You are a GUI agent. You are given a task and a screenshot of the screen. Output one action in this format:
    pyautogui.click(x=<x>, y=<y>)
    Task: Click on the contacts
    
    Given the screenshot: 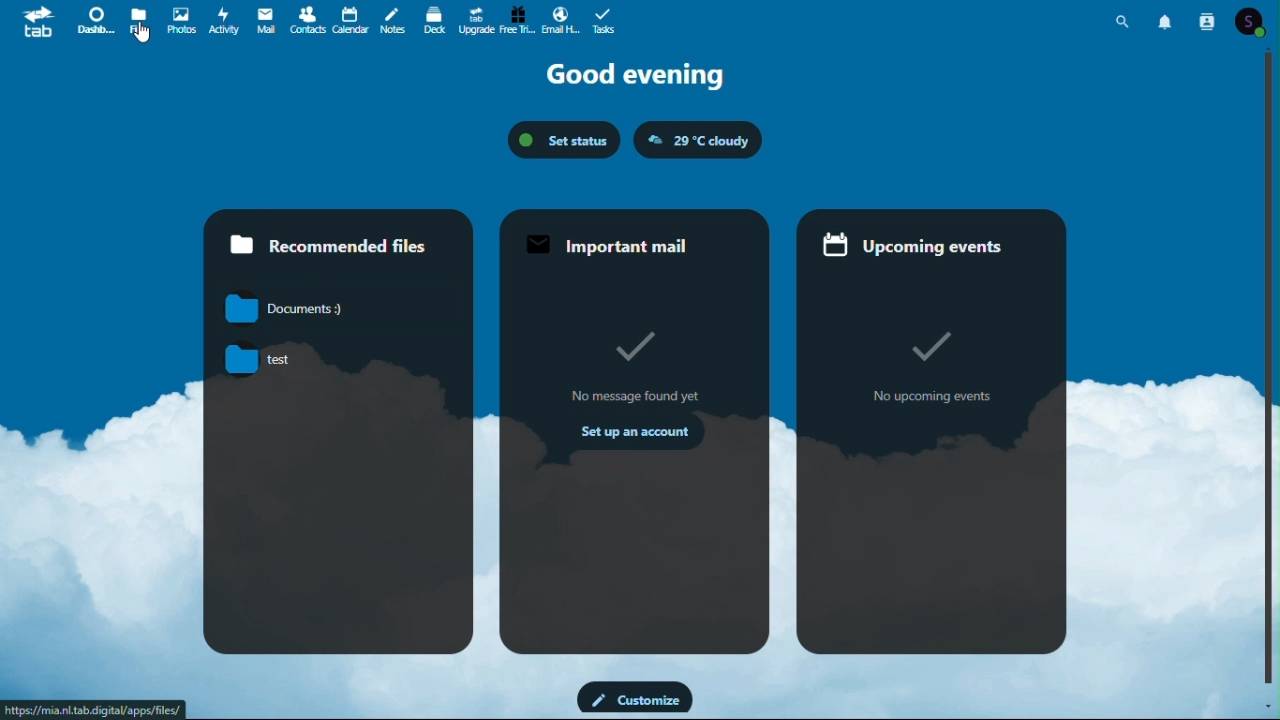 What is the action you would take?
    pyautogui.click(x=307, y=21)
    